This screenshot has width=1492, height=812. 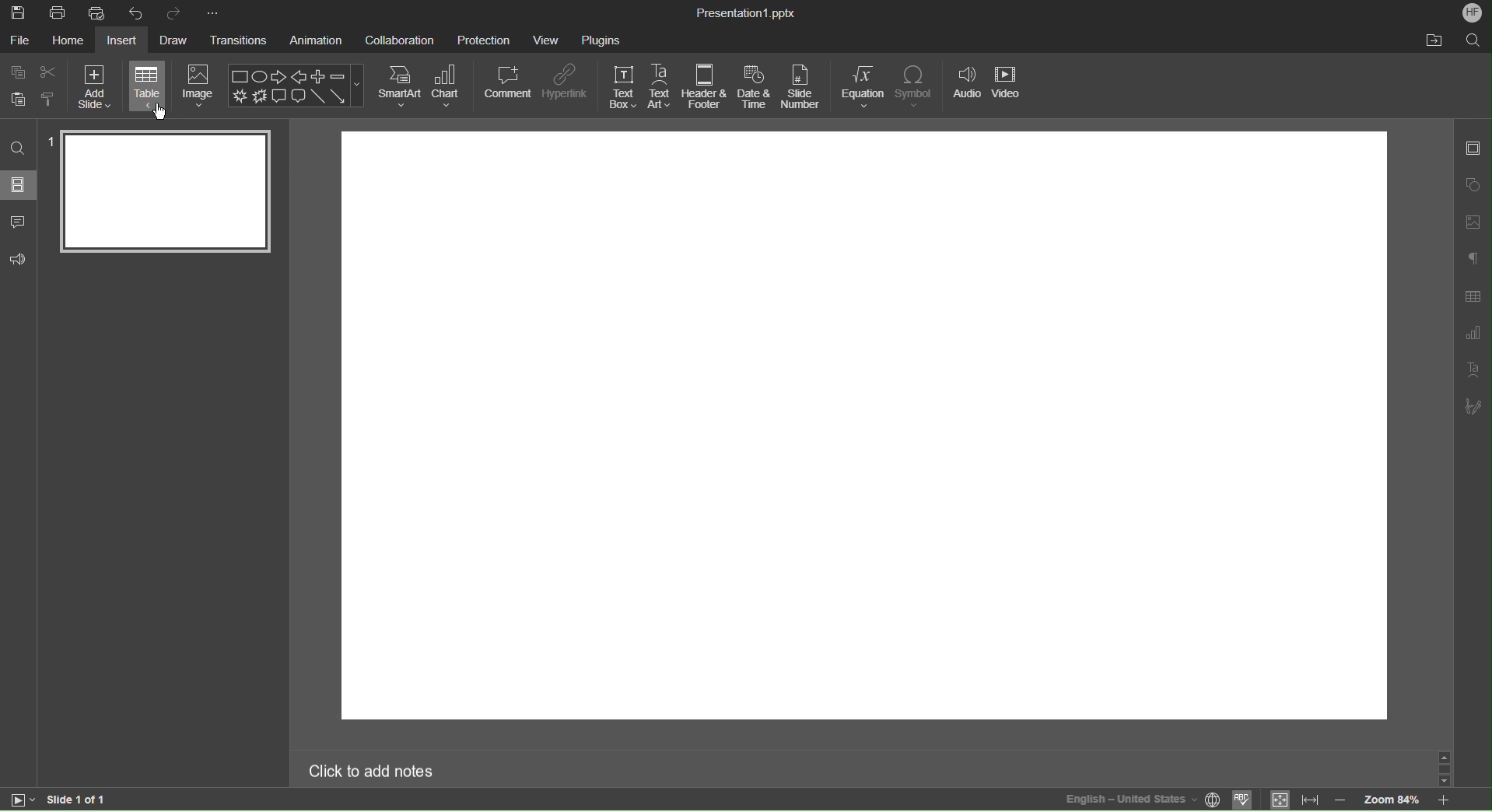 What do you see at coordinates (1442, 768) in the screenshot?
I see `scroll bar` at bounding box center [1442, 768].